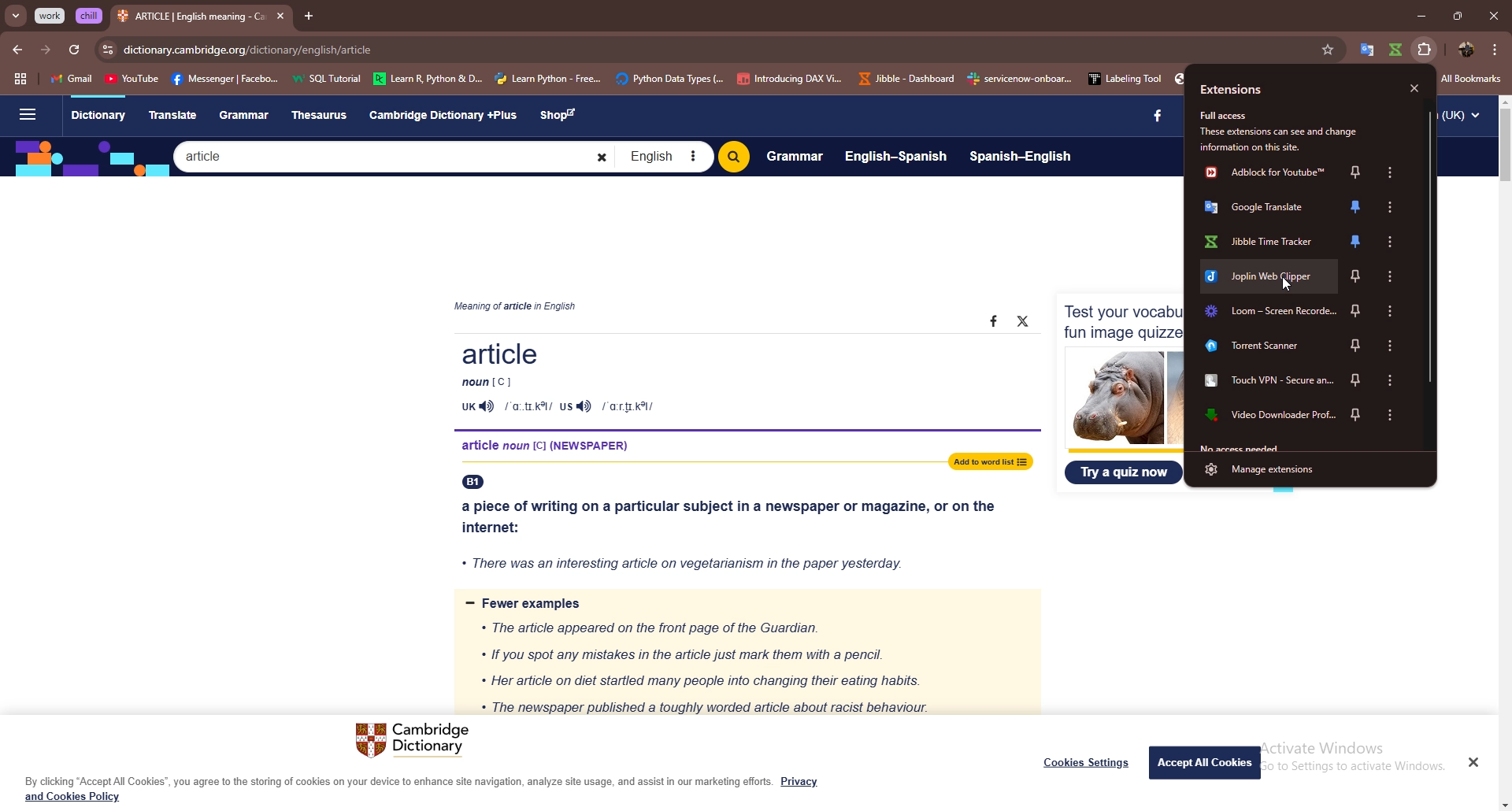 This screenshot has height=811, width=1512. What do you see at coordinates (417, 742) in the screenshot?
I see ` Cambridge Dictionary` at bounding box center [417, 742].